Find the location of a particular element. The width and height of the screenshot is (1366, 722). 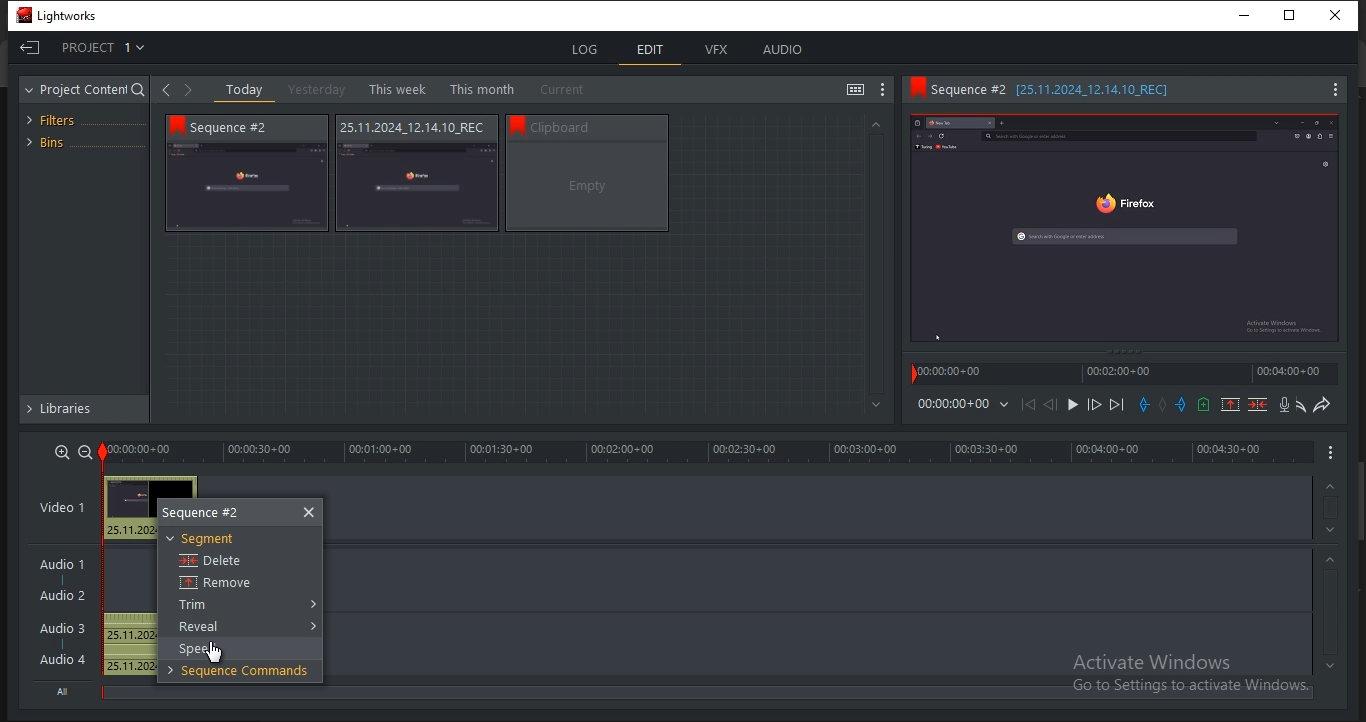

zoom out is located at coordinates (85, 451).